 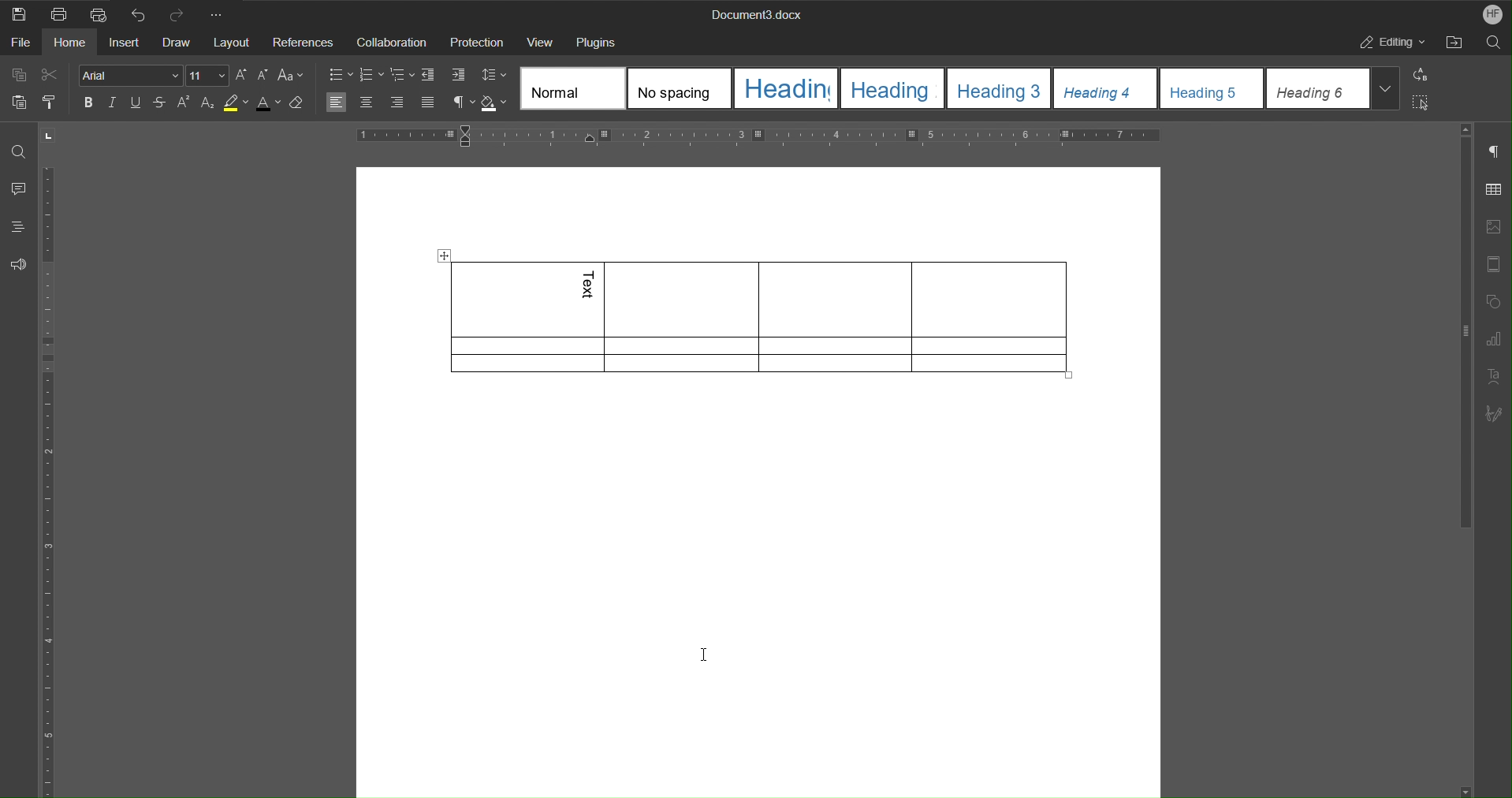 I want to click on Alignments, so click(x=382, y=103).